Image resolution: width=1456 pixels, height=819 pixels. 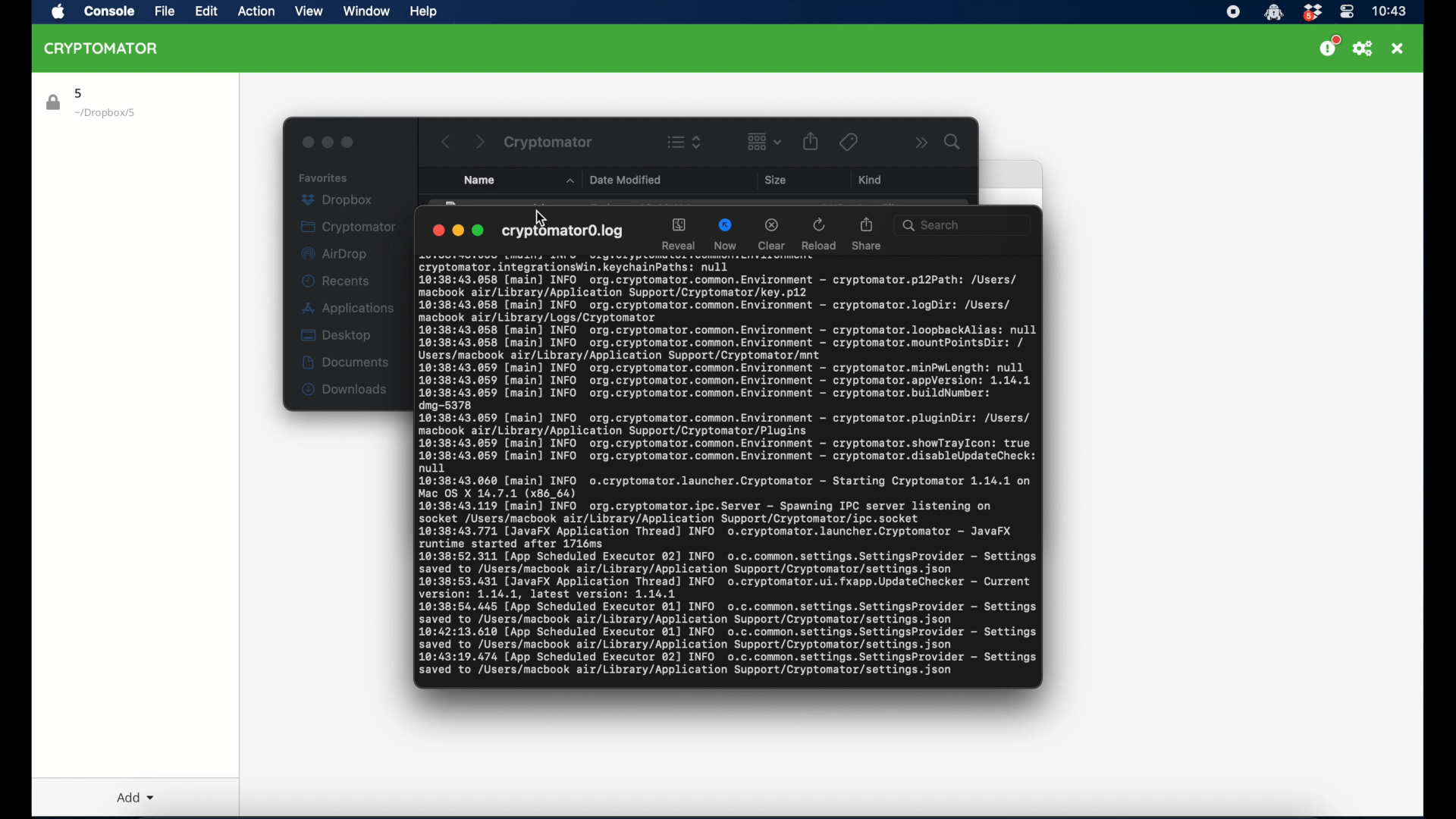 What do you see at coordinates (350, 363) in the screenshot?
I see `documents` at bounding box center [350, 363].